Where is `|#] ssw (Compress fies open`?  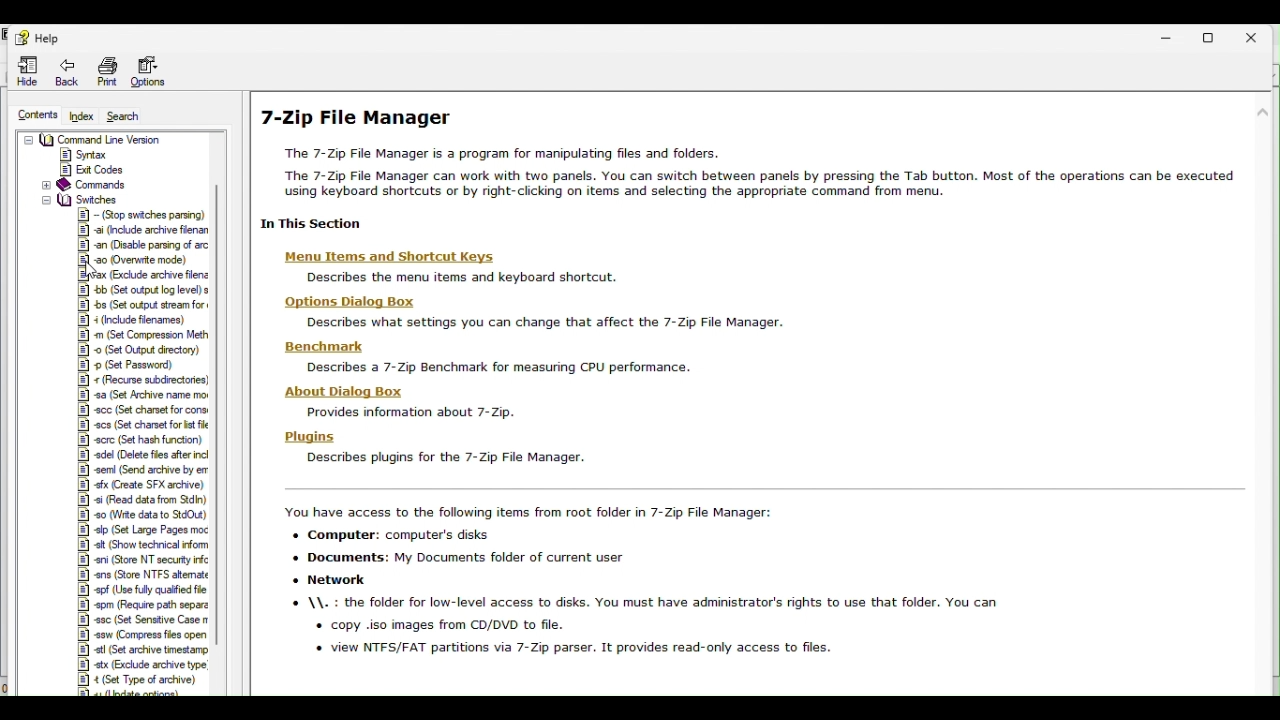
|#] ssw (Compress fies open is located at coordinates (139, 634).